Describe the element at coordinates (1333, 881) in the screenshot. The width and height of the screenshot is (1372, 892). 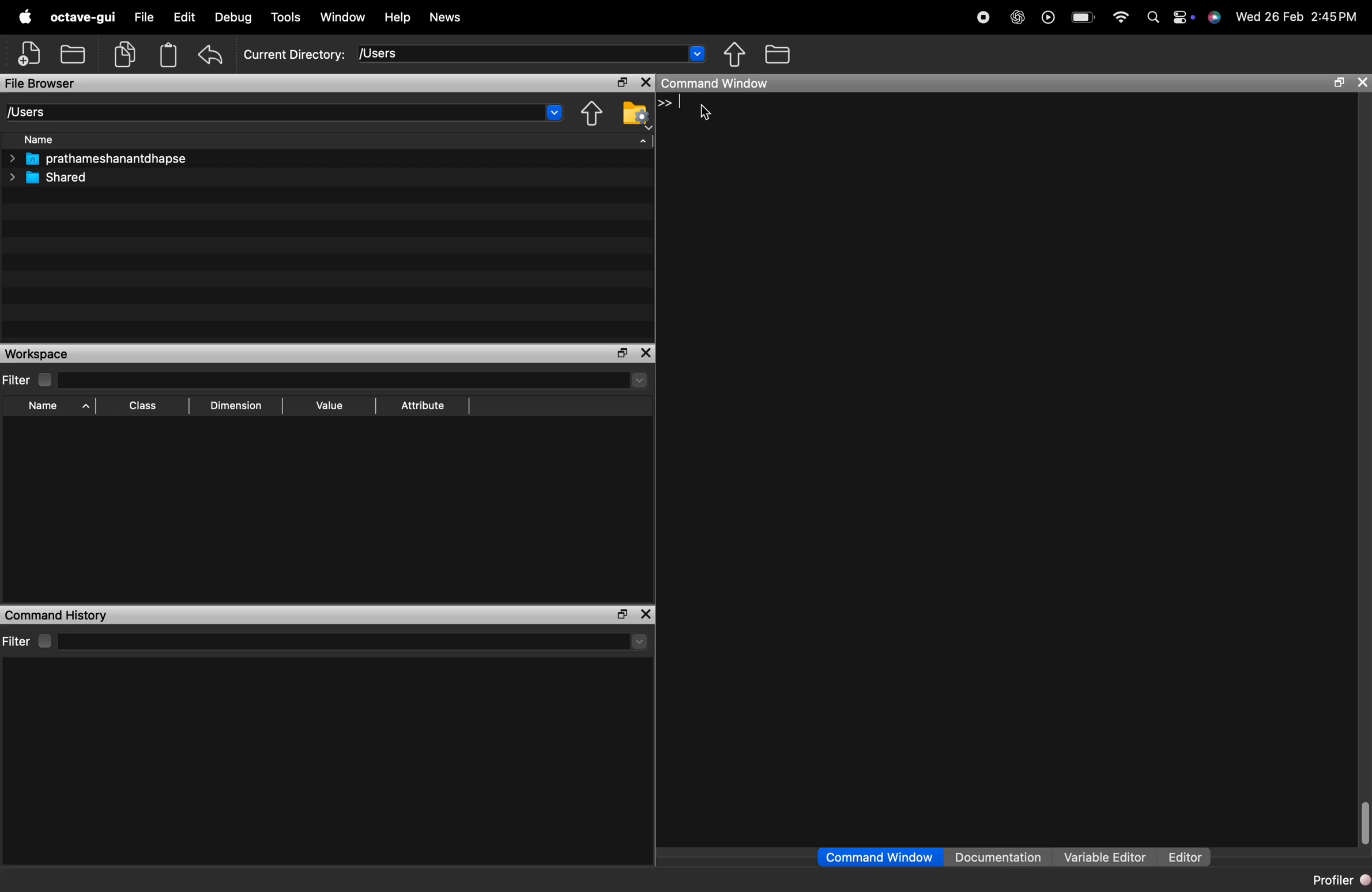
I see `Profiler` at that location.